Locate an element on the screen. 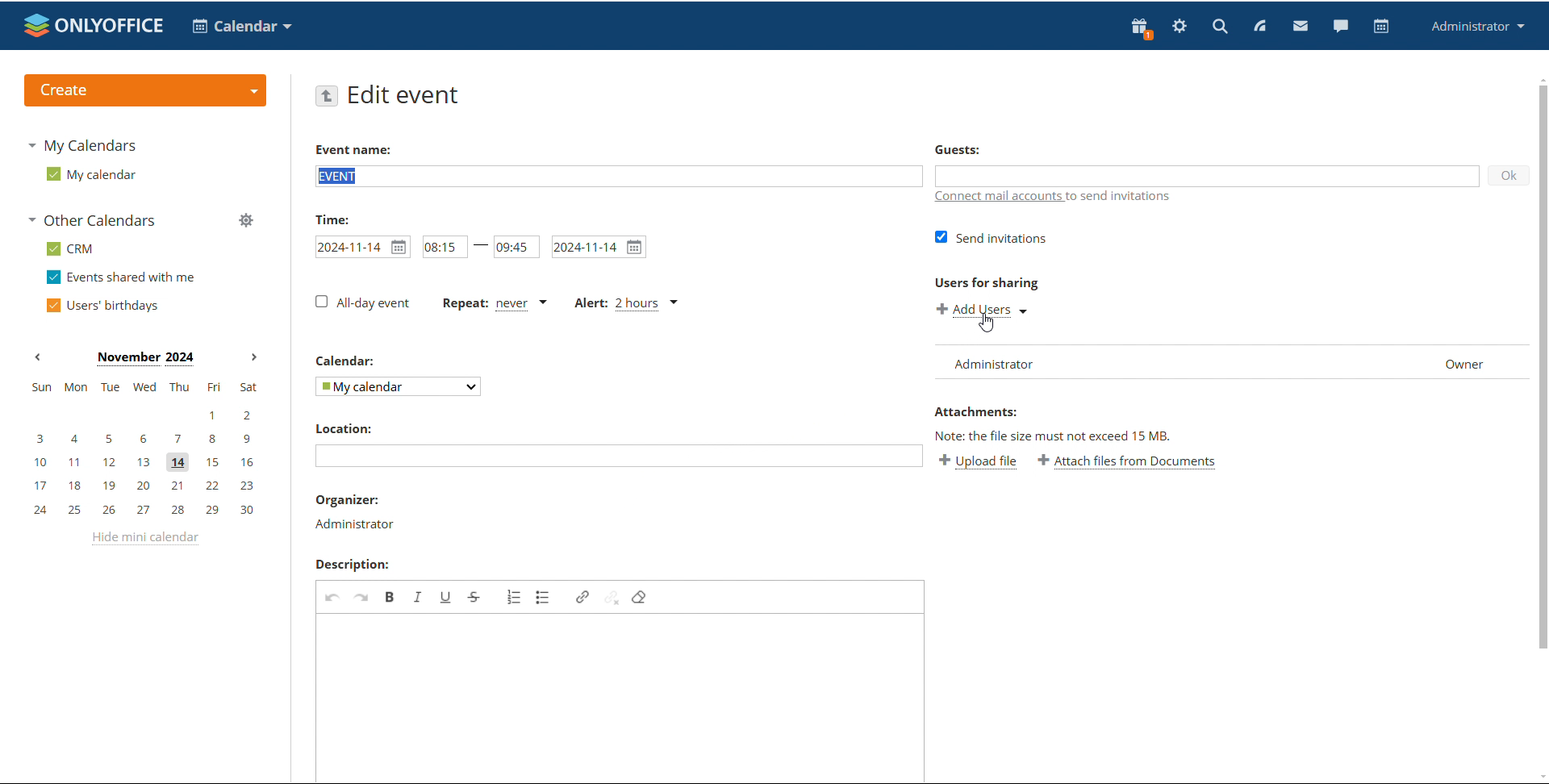 This screenshot has width=1549, height=784. go back is located at coordinates (326, 96).